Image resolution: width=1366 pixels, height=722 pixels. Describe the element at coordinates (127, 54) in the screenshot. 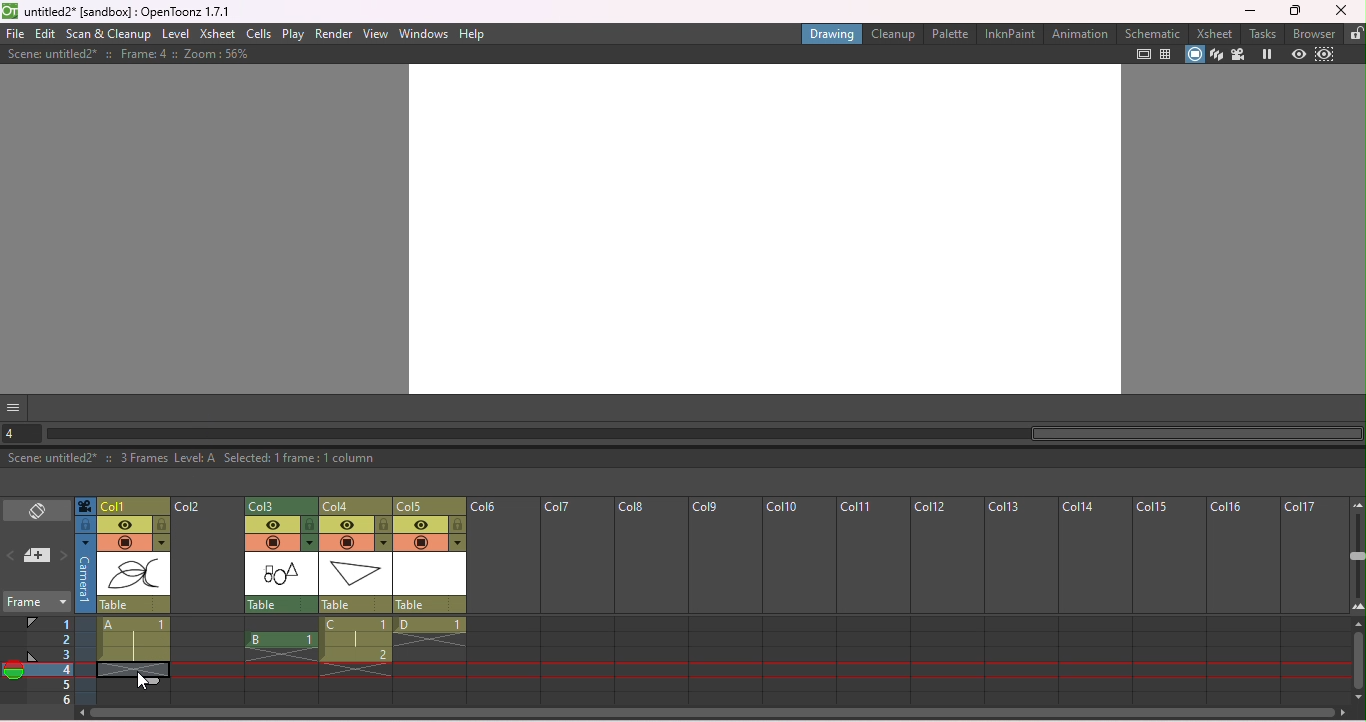

I see `Scene: untitled2* : Frame: 4 :: Zoom: 56%` at that location.